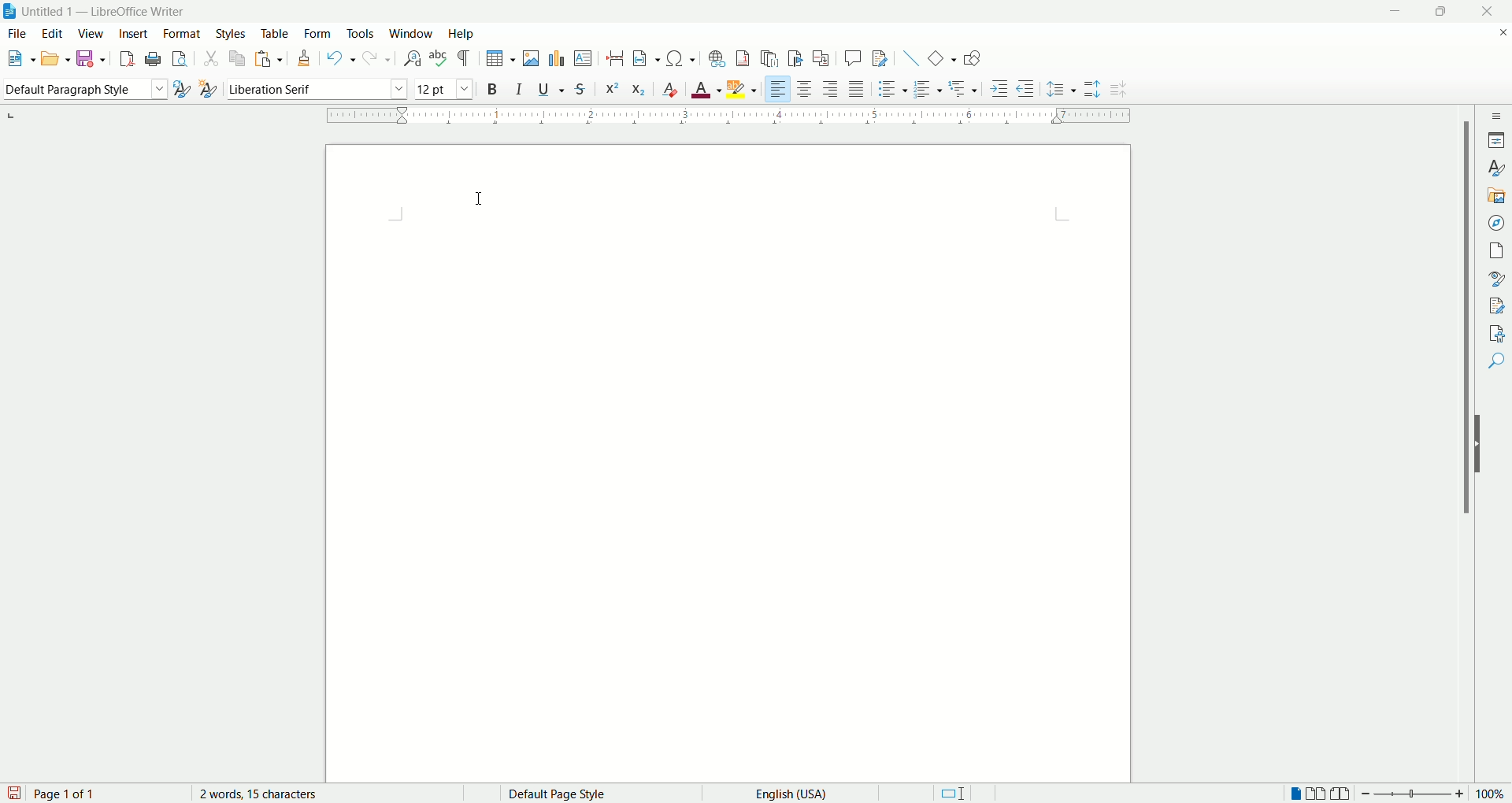 The width and height of the screenshot is (1512, 803). I want to click on book view, so click(1343, 793).